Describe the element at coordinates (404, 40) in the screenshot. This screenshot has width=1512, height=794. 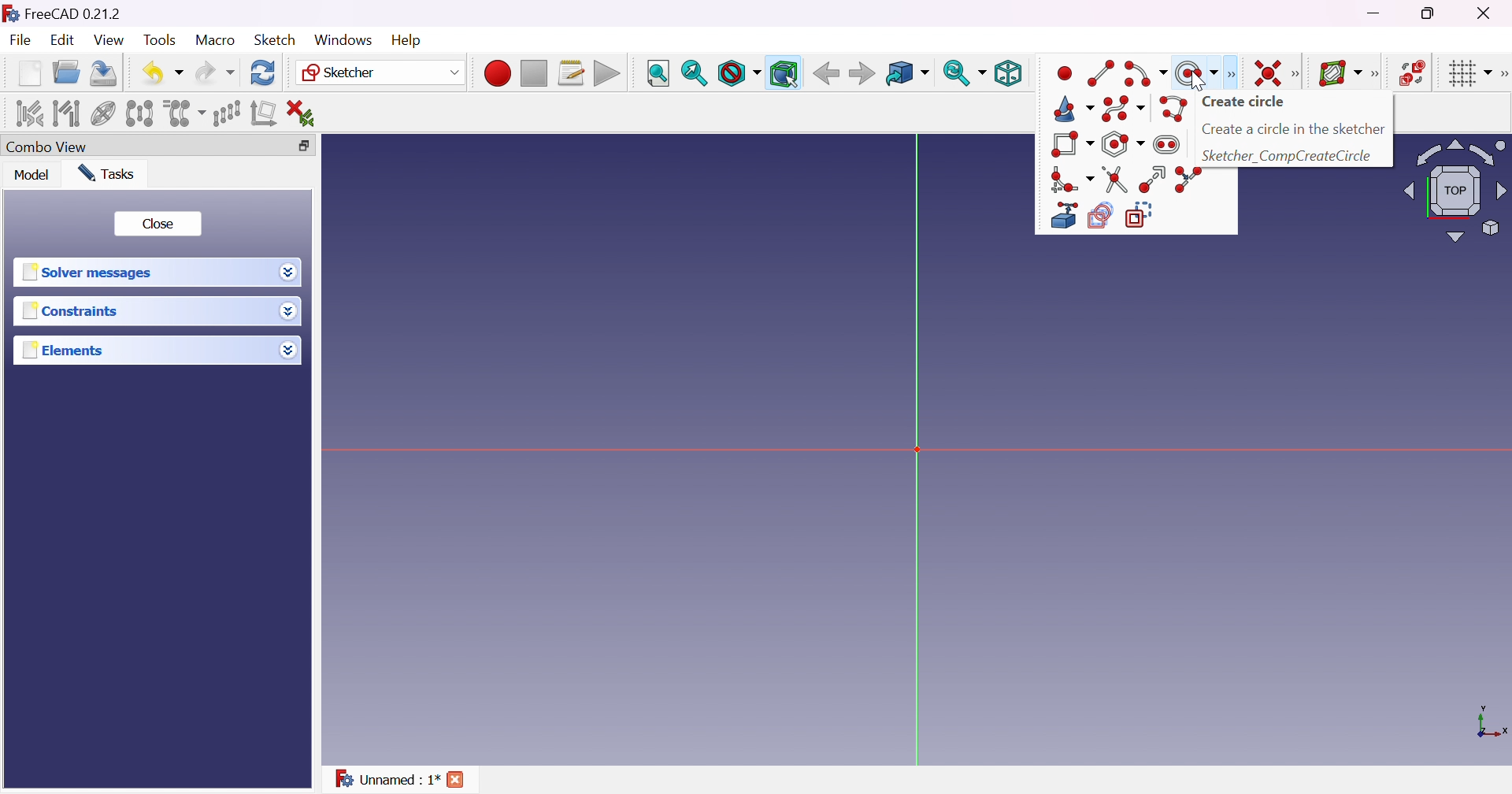
I see `Help` at that location.